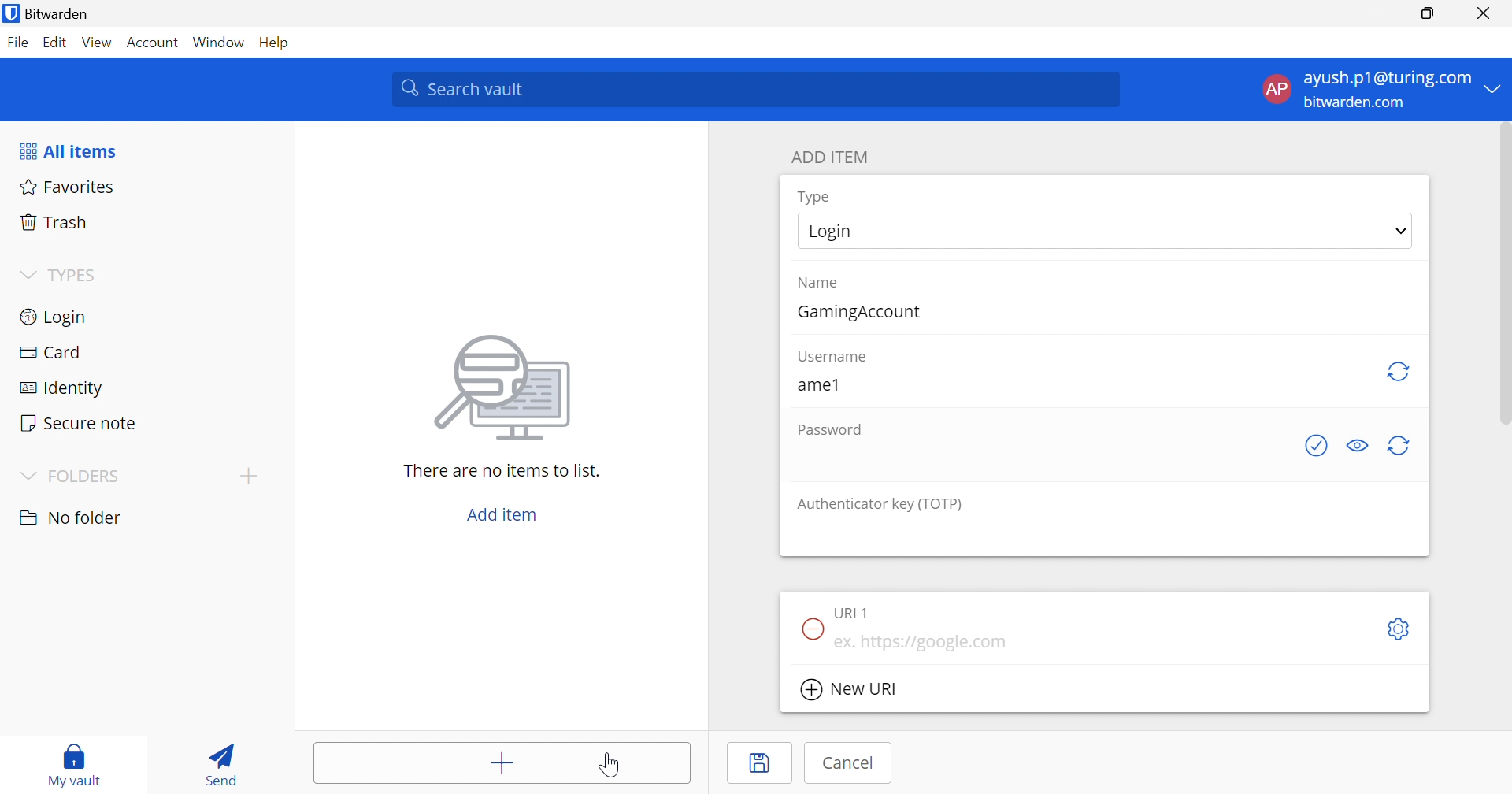 The height and width of the screenshot is (794, 1512). I want to click on ayush.p1@turing.com, so click(1390, 80).